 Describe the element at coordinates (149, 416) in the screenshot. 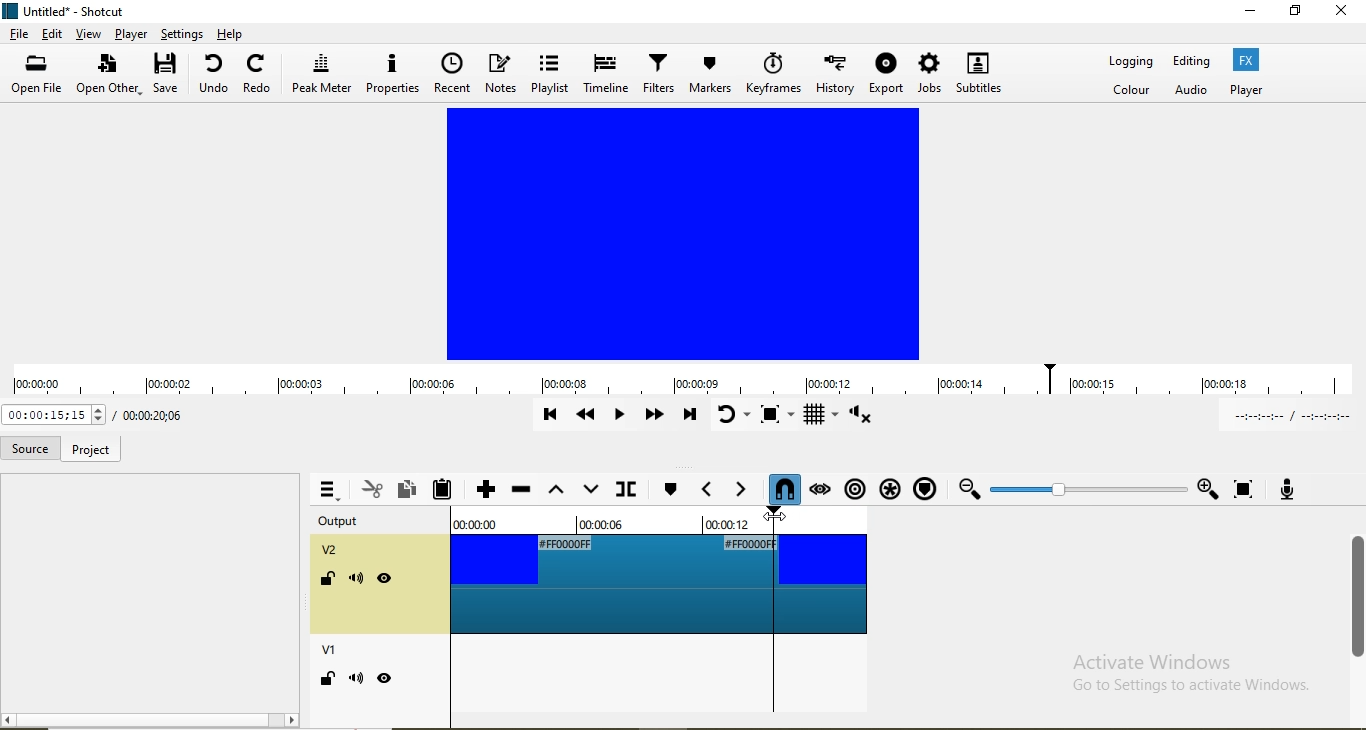

I see `Current position` at that location.